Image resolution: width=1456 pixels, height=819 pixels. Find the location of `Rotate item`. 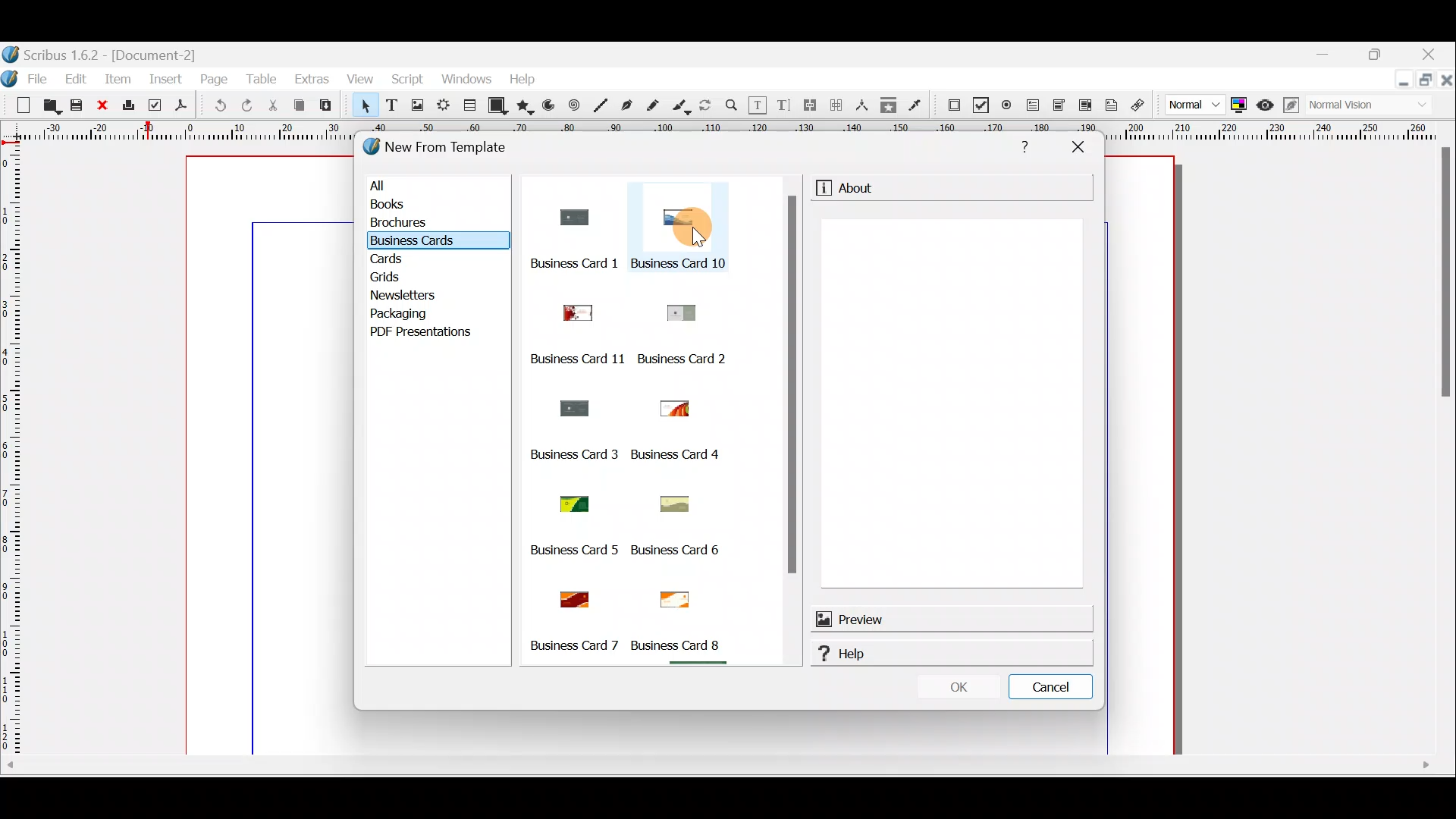

Rotate item is located at coordinates (706, 106).